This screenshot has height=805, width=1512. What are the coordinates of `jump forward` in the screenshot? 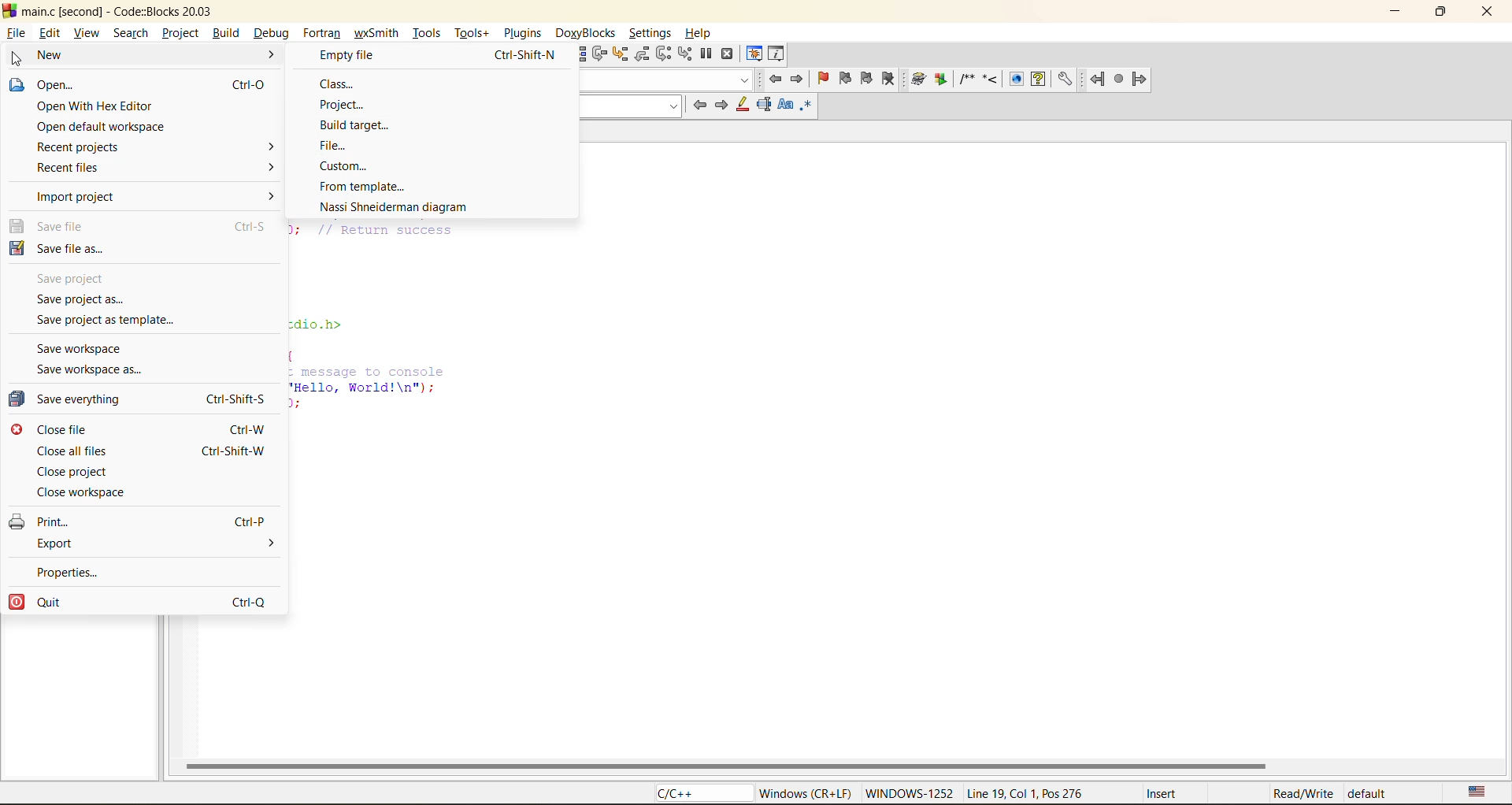 It's located at (799, 80).